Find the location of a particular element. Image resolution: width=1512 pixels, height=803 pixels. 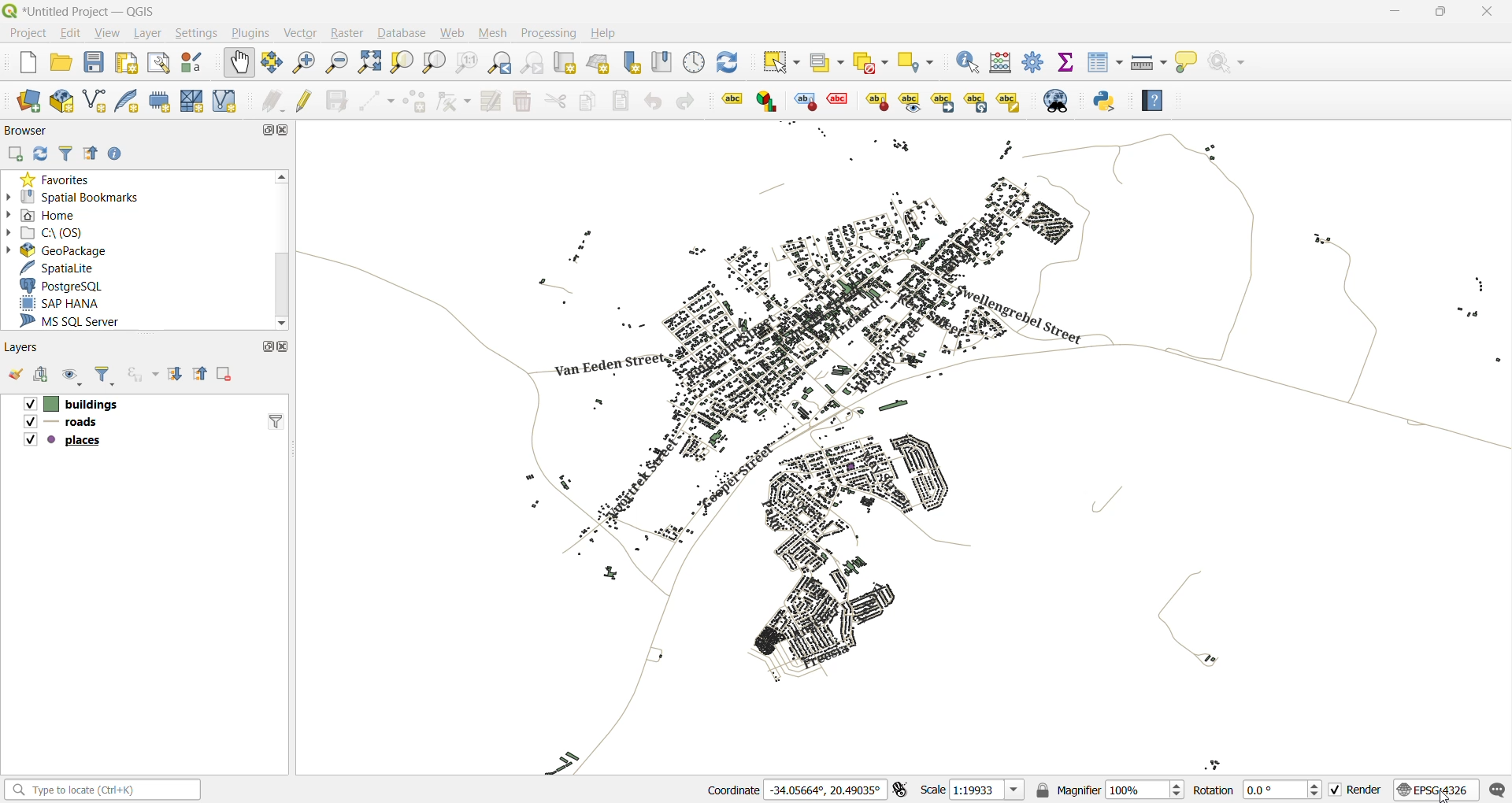

roads is located at coordinates (61, 424).